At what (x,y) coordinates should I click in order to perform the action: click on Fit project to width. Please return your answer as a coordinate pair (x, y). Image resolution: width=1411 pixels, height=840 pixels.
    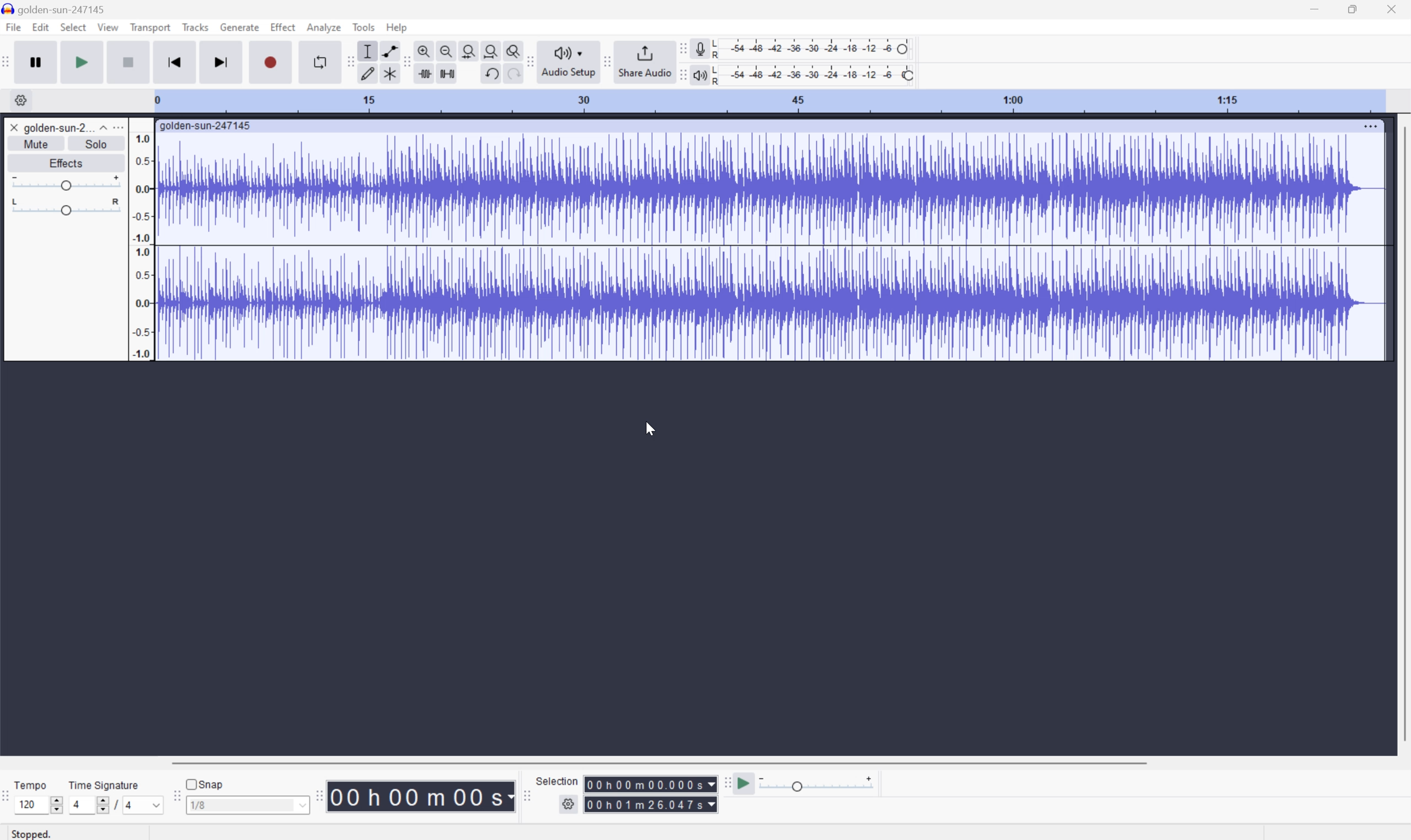
    Looking at the image, I should click on (490, 49).